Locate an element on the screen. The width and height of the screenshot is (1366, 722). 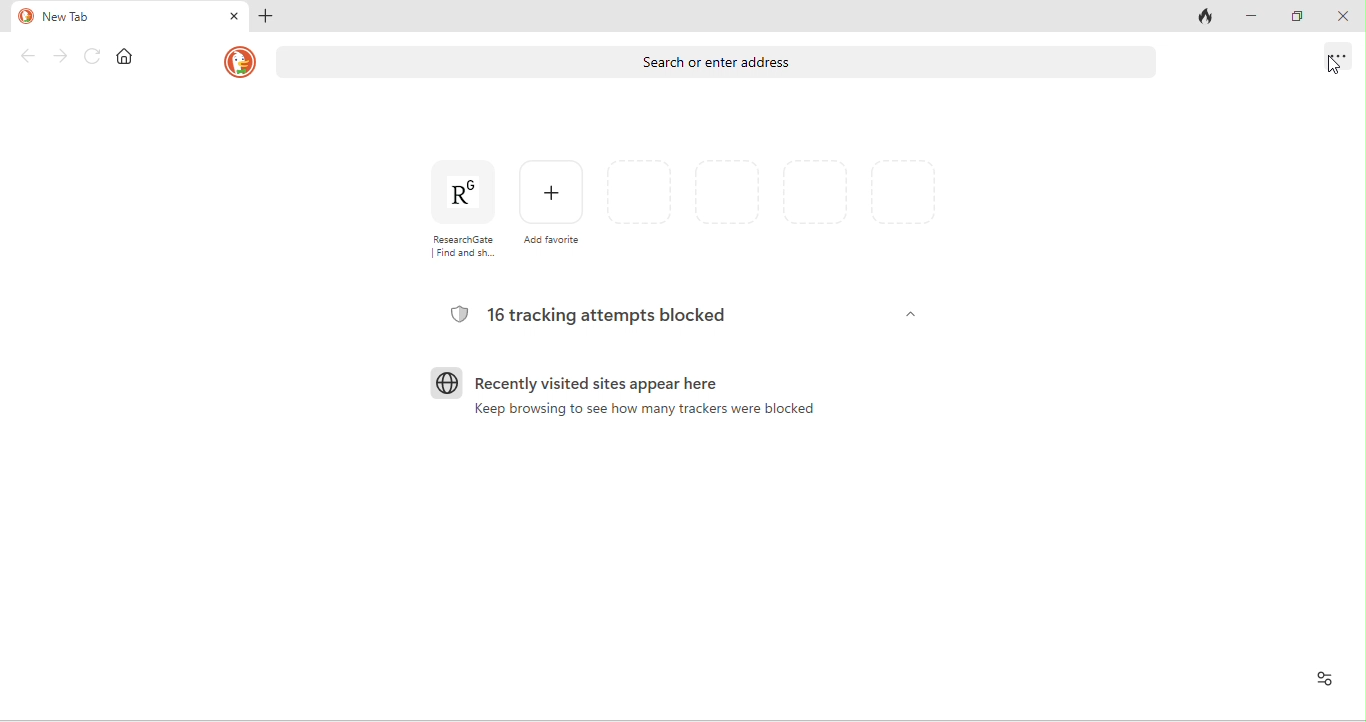
new tab is located at coordinates (113, 16).